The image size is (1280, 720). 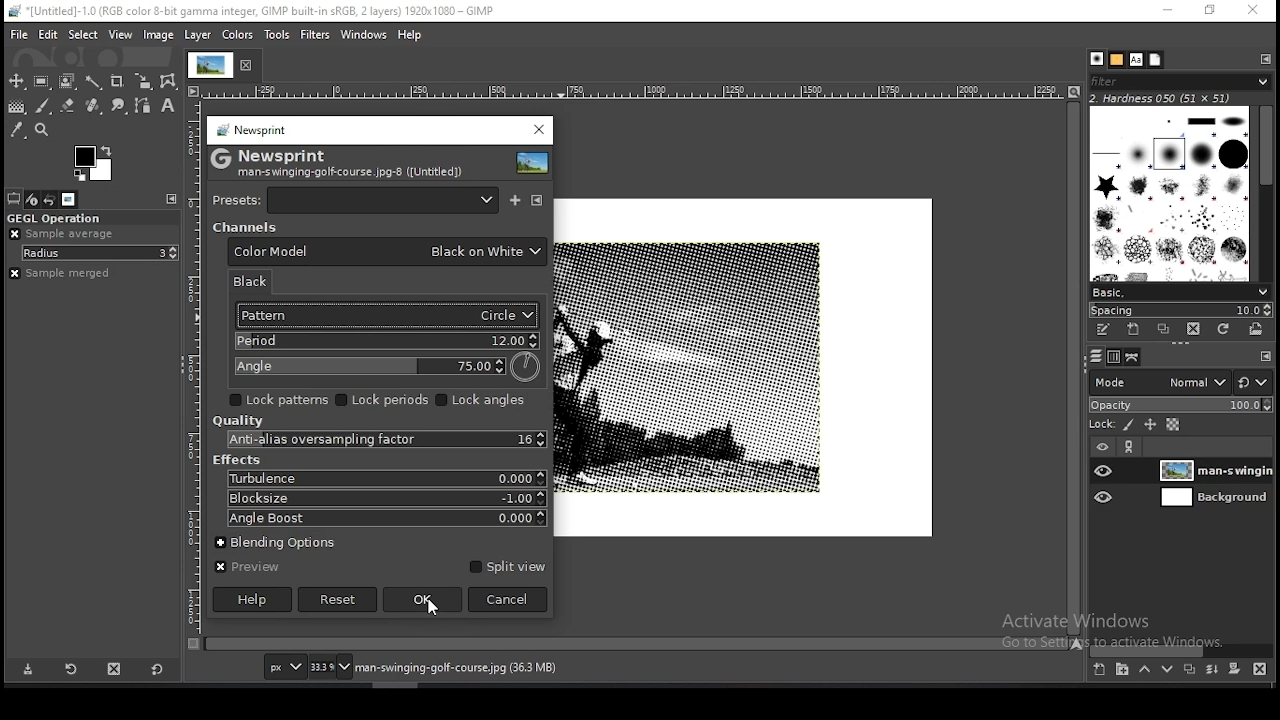 What do you see at coordinates (200, 36) in the screenshot?
I see `layer` at bounding box center [200, 36].